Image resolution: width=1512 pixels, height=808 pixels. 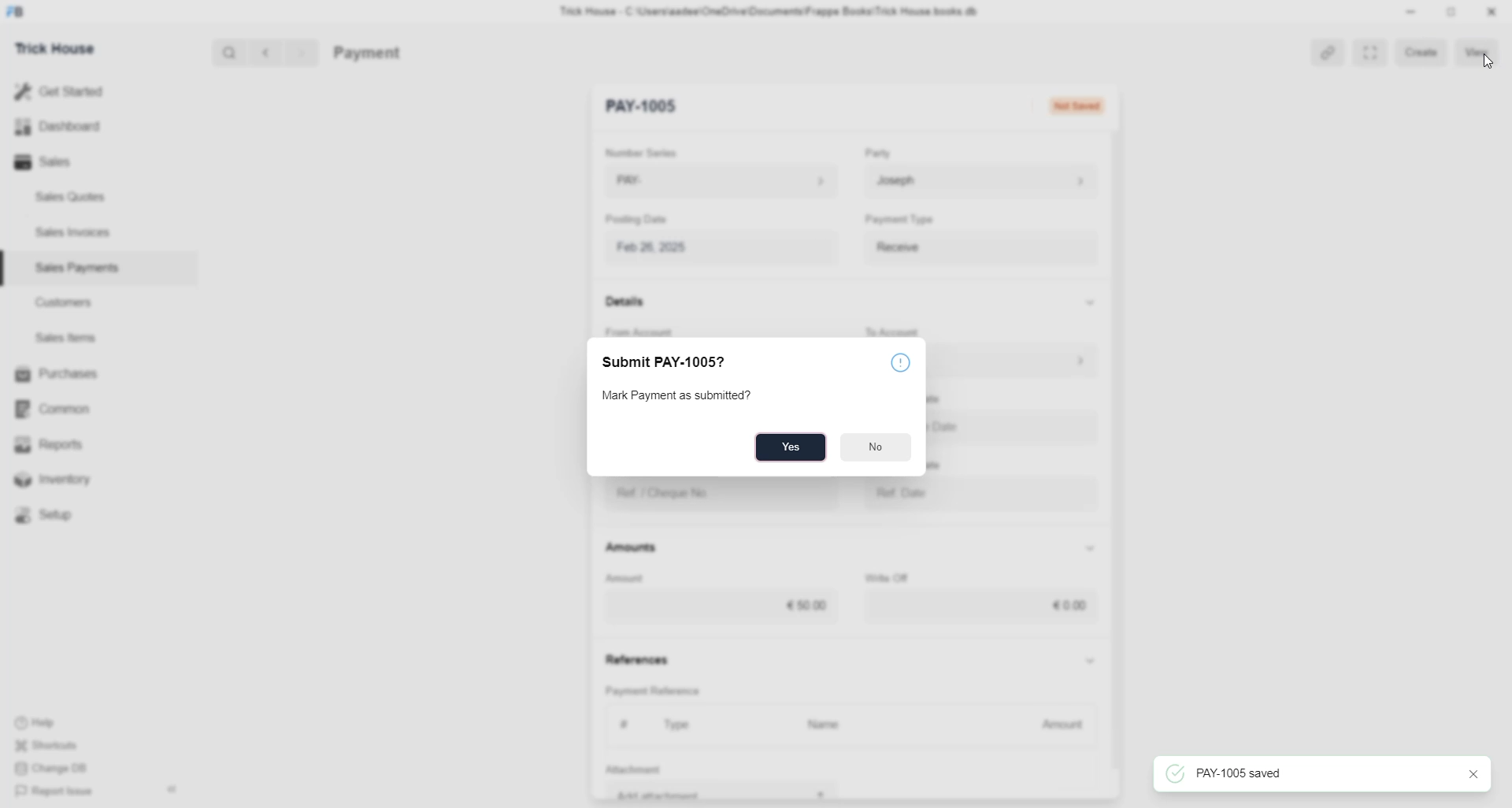 I want to click on Show/Hide, so click(x=1089, y=548).